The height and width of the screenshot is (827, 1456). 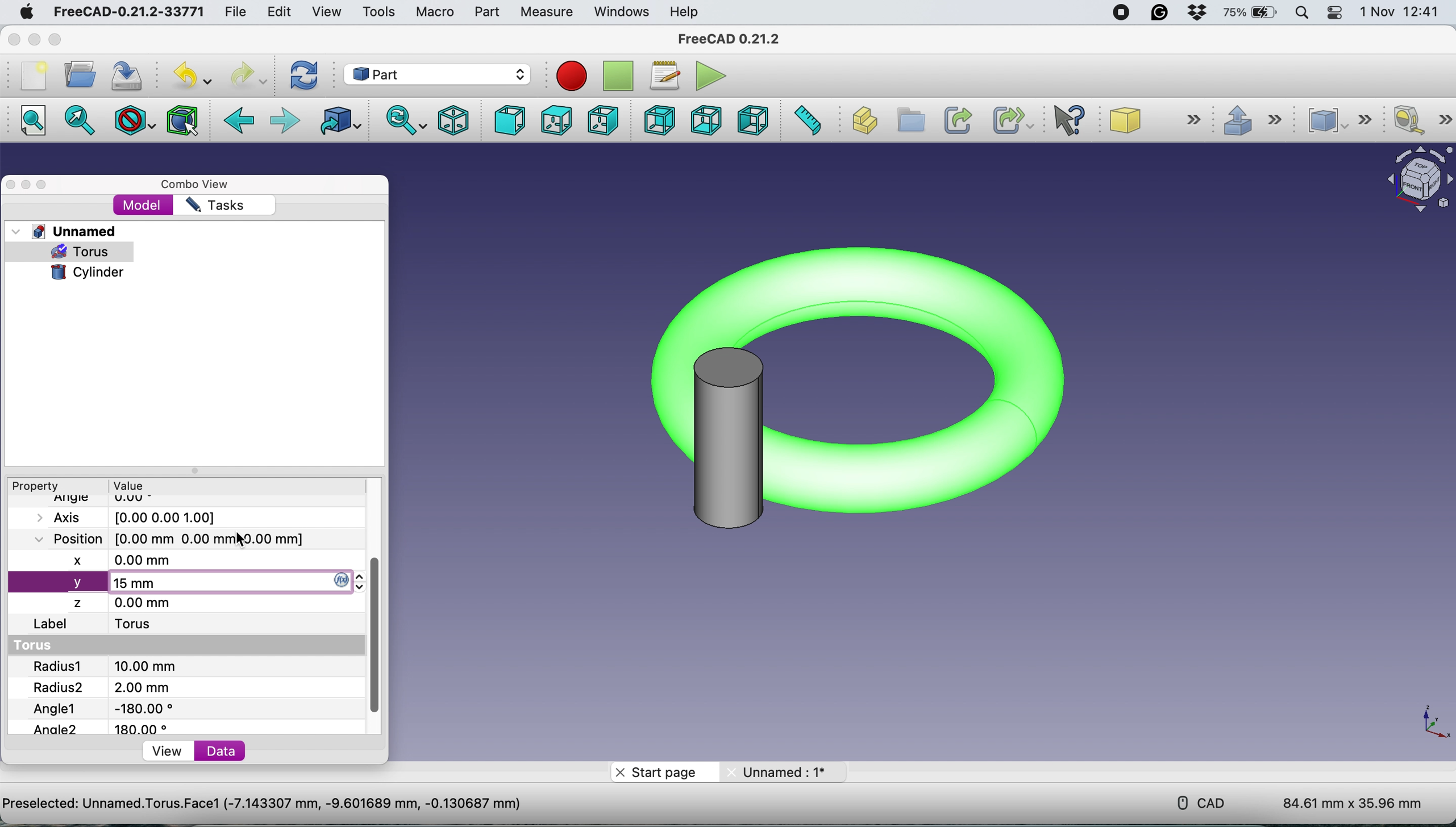 What do you see at coordinates (80, 123) in the screenshot?
I see `go to selected object` at bounding box center [80, 123].